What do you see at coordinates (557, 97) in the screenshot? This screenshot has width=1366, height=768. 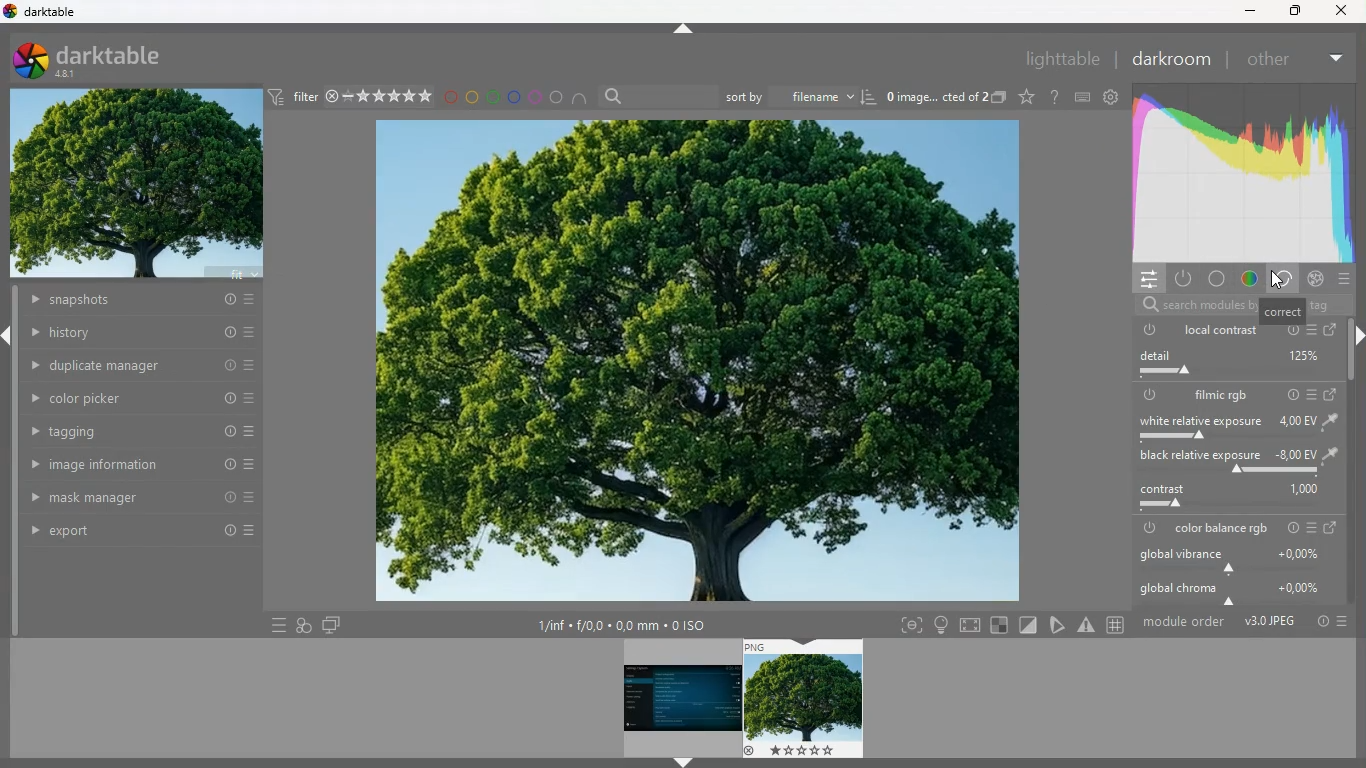 I see `circle` at bounding box center [557, 97].